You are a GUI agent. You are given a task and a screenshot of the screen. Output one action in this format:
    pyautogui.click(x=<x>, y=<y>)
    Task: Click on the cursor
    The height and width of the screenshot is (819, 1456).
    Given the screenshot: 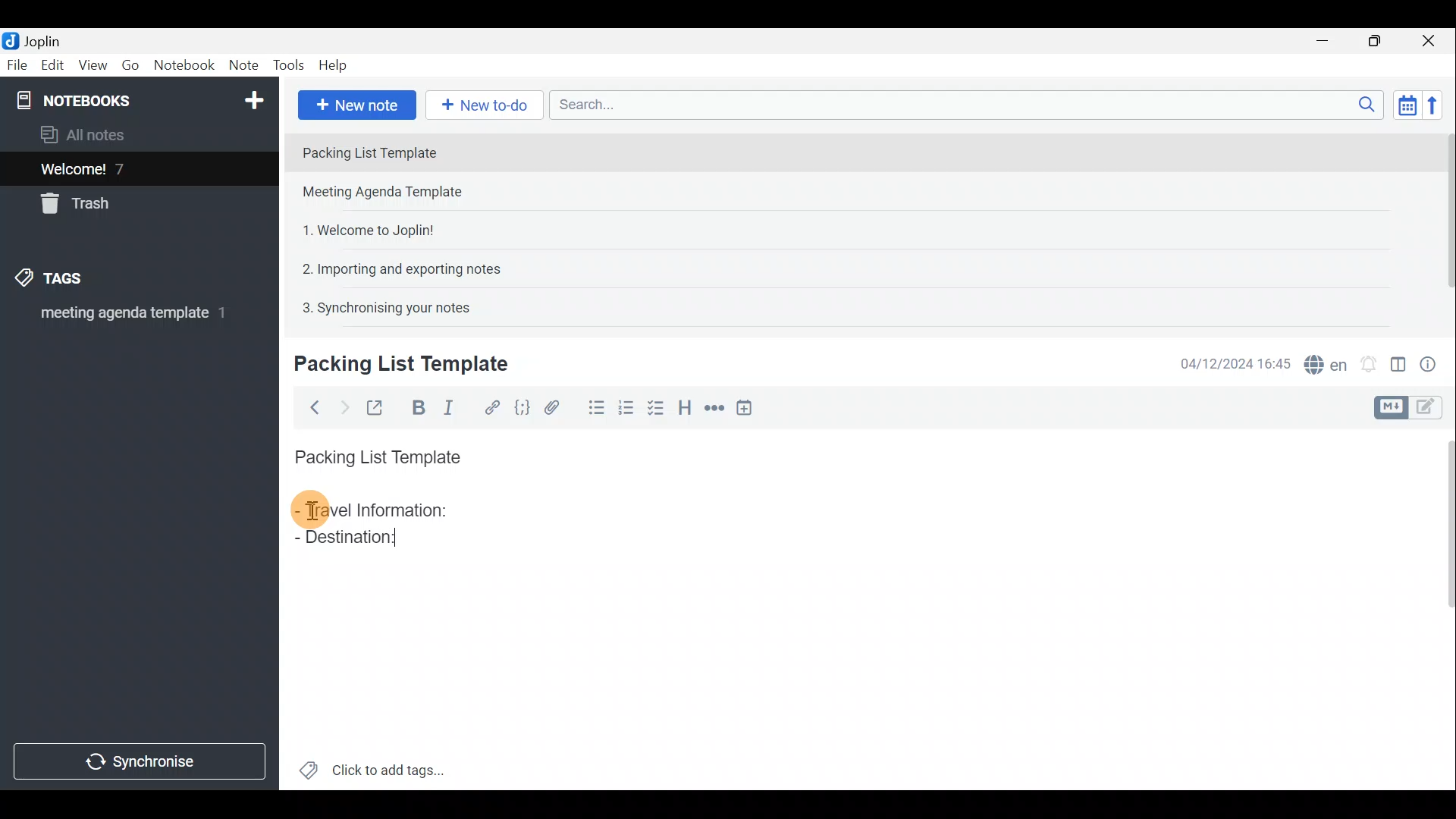 What is the action you would take?
    pyautogui.click(x=311, y=510)
    